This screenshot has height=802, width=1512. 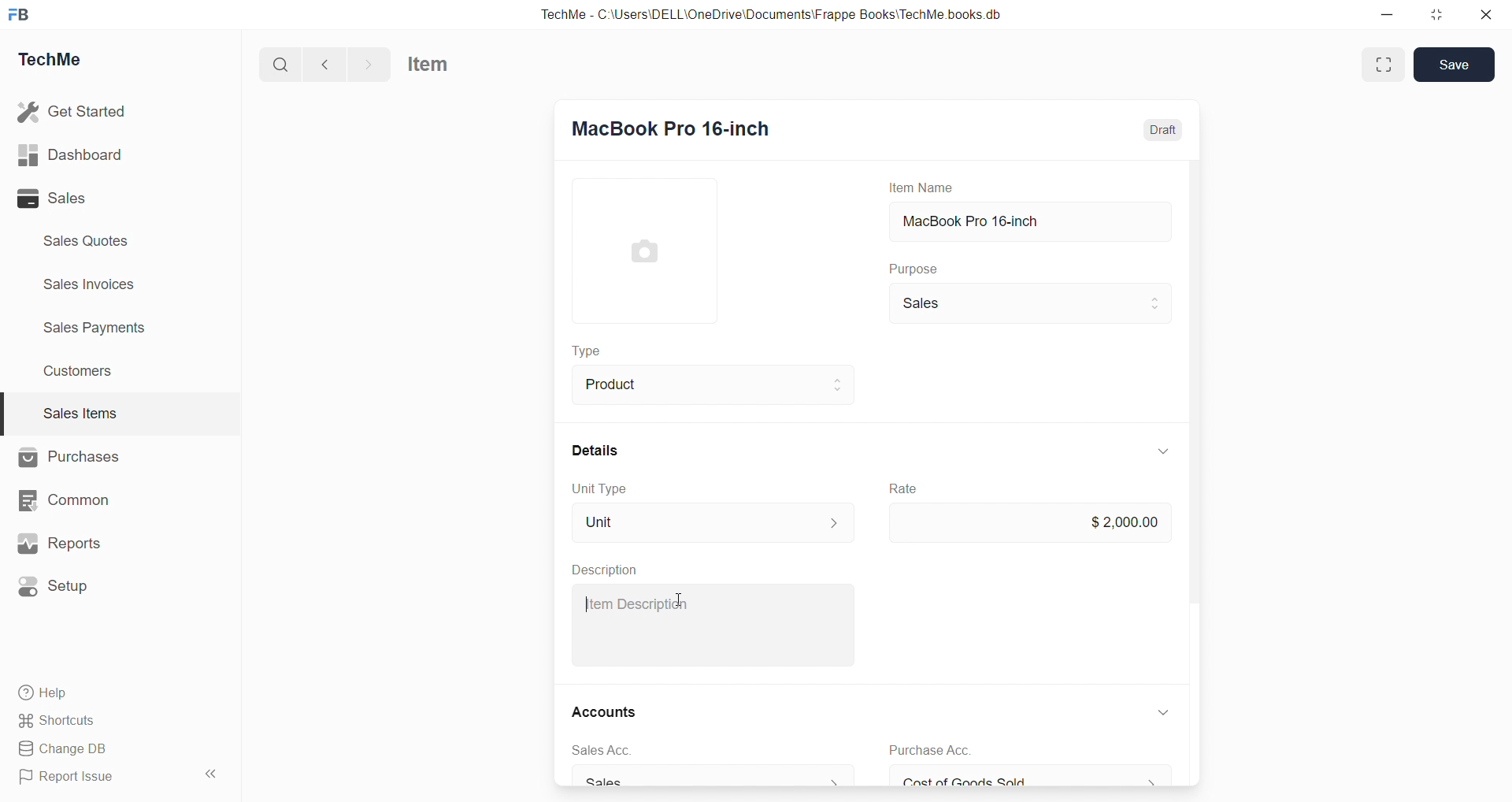 What do you see at coordinates (643, 251) in the screenshot?
I see `image` at bounding box center [643, 251].